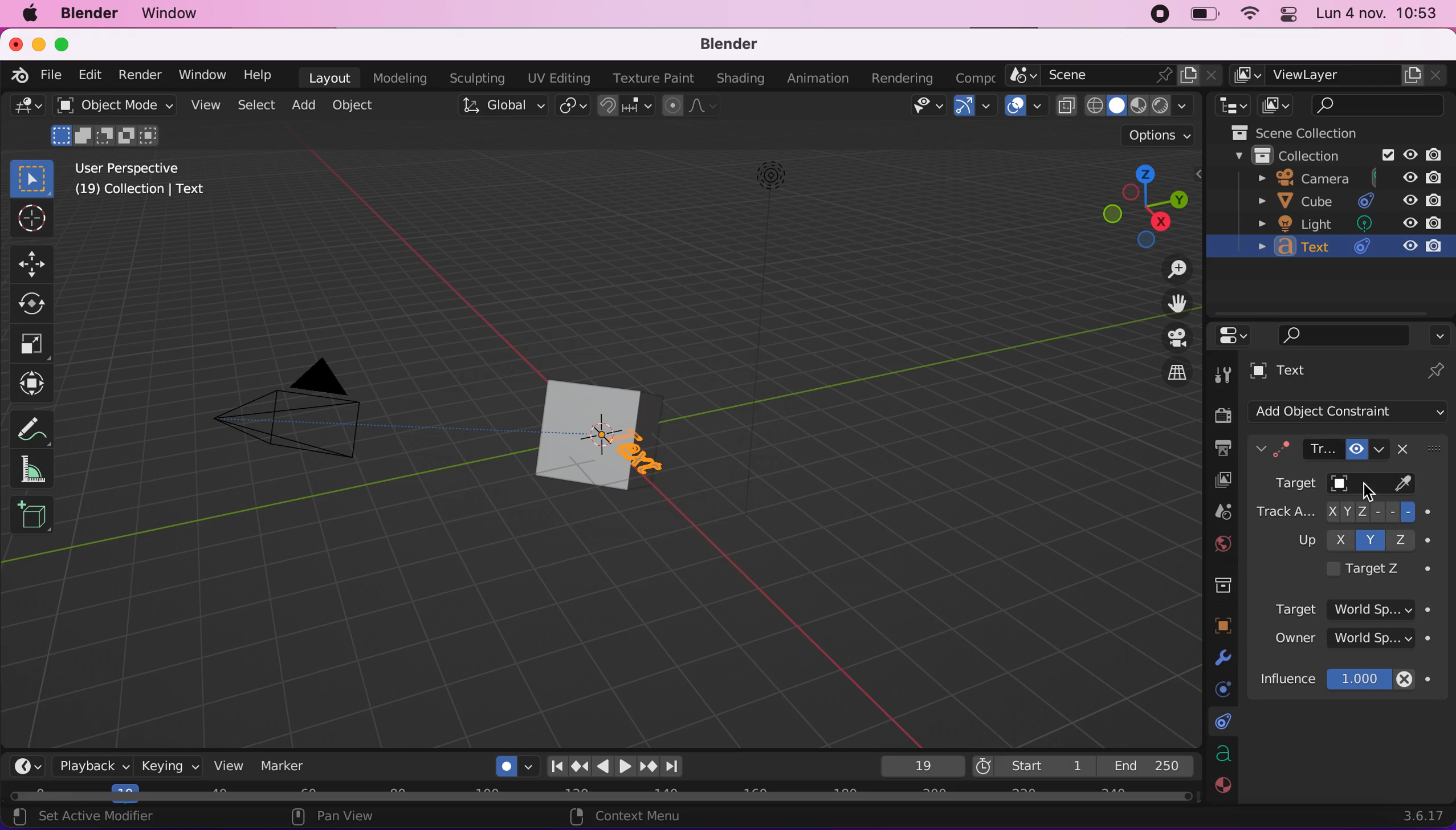  I want to click on context menu, so click(655, 817).